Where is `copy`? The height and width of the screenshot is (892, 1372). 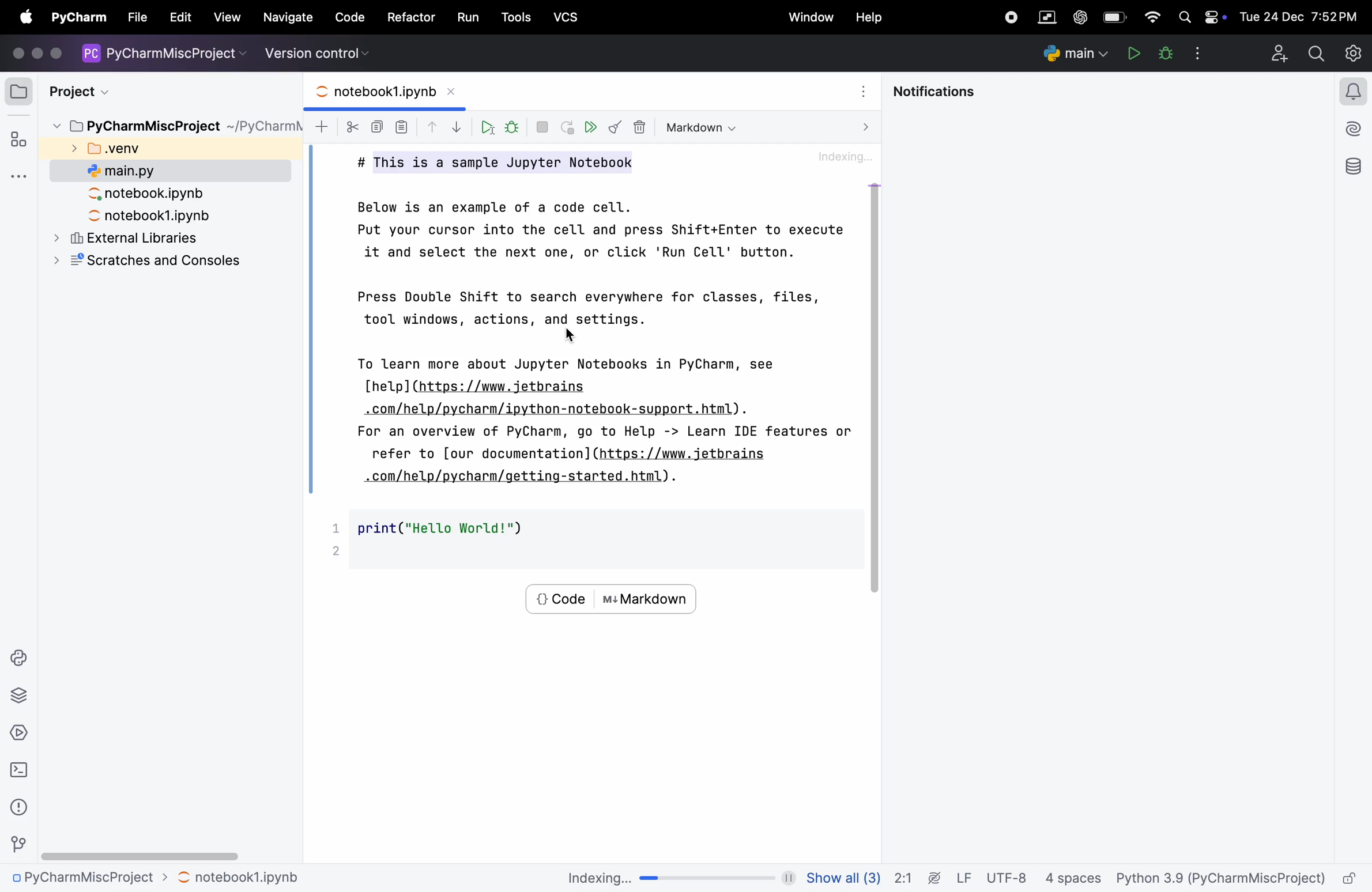 copy is located at coordinates (378, 127).